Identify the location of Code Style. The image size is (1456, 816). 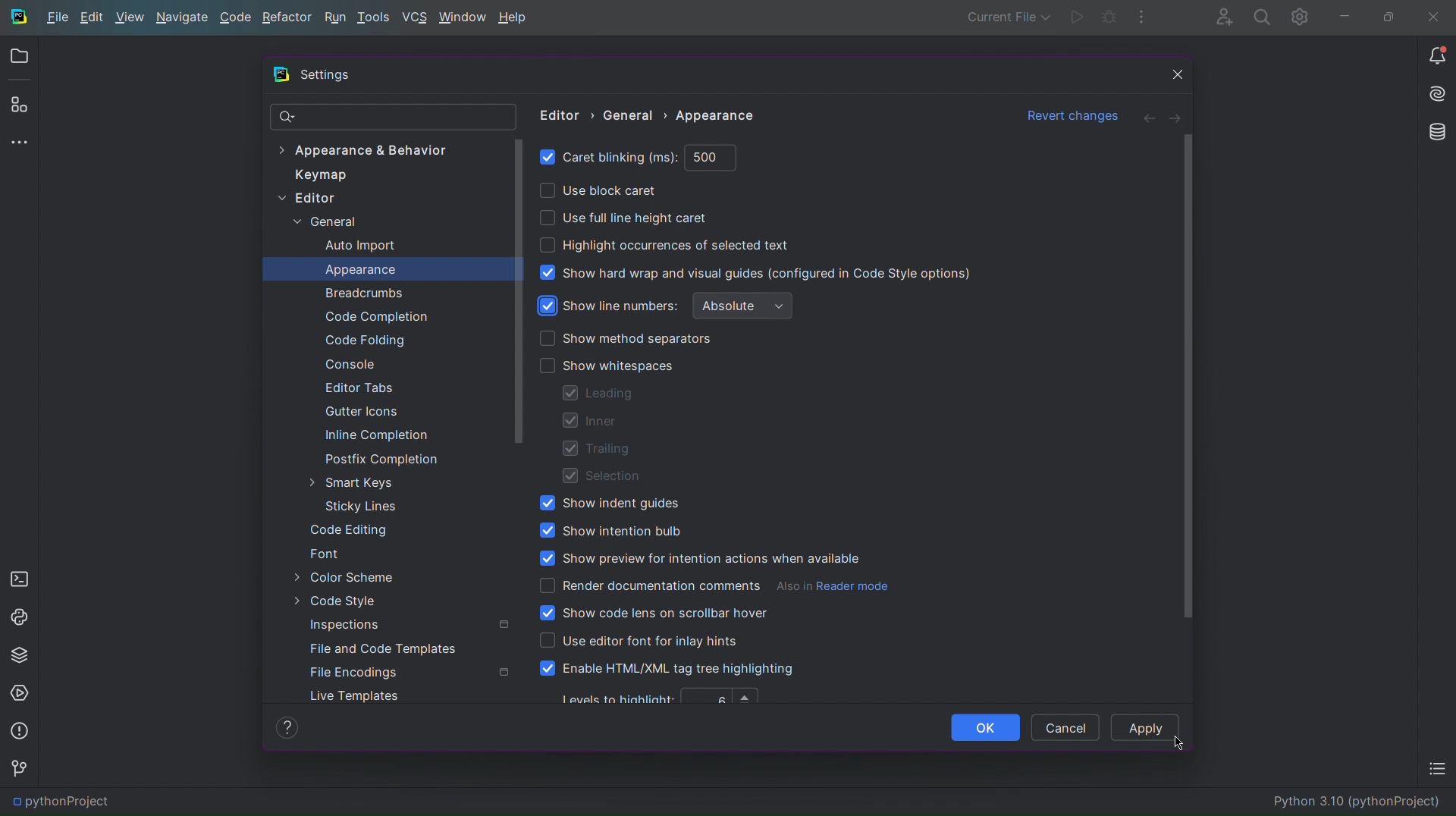
(352, 602).